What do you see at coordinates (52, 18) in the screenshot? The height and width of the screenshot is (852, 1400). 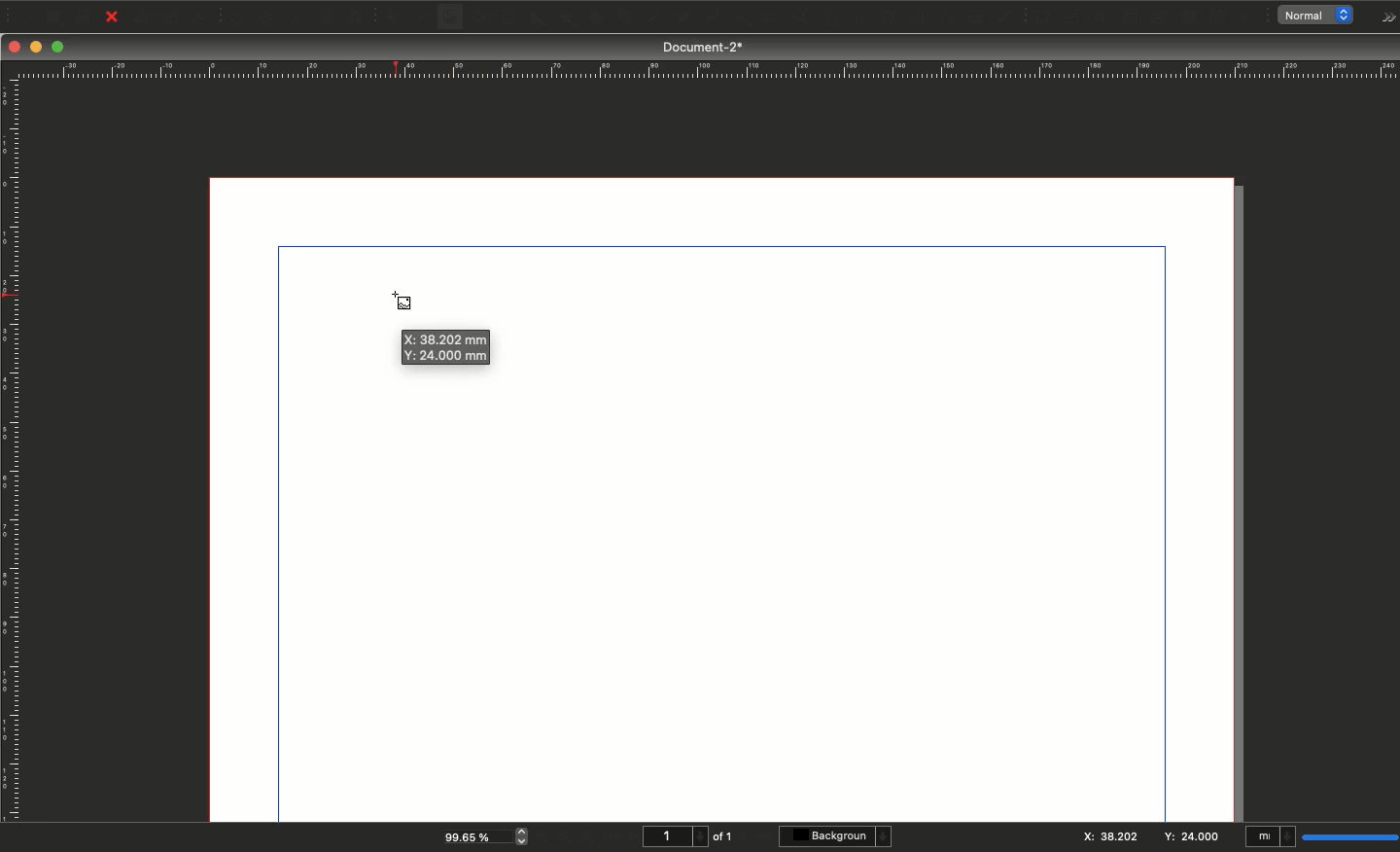 I see `Open` at bounding box center [52, 18].